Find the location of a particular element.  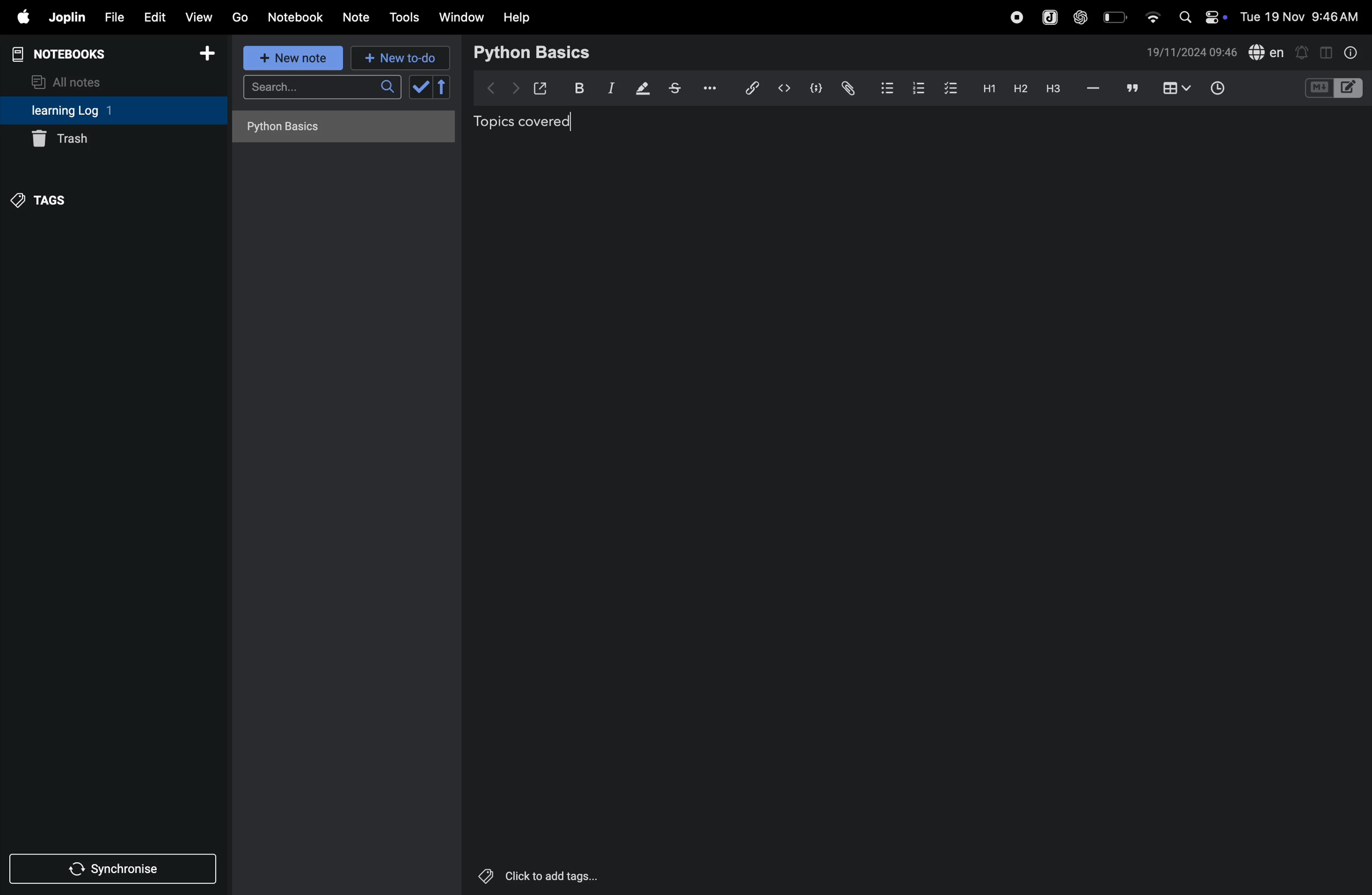

heading 2 is located at coordinates (1020, 88).